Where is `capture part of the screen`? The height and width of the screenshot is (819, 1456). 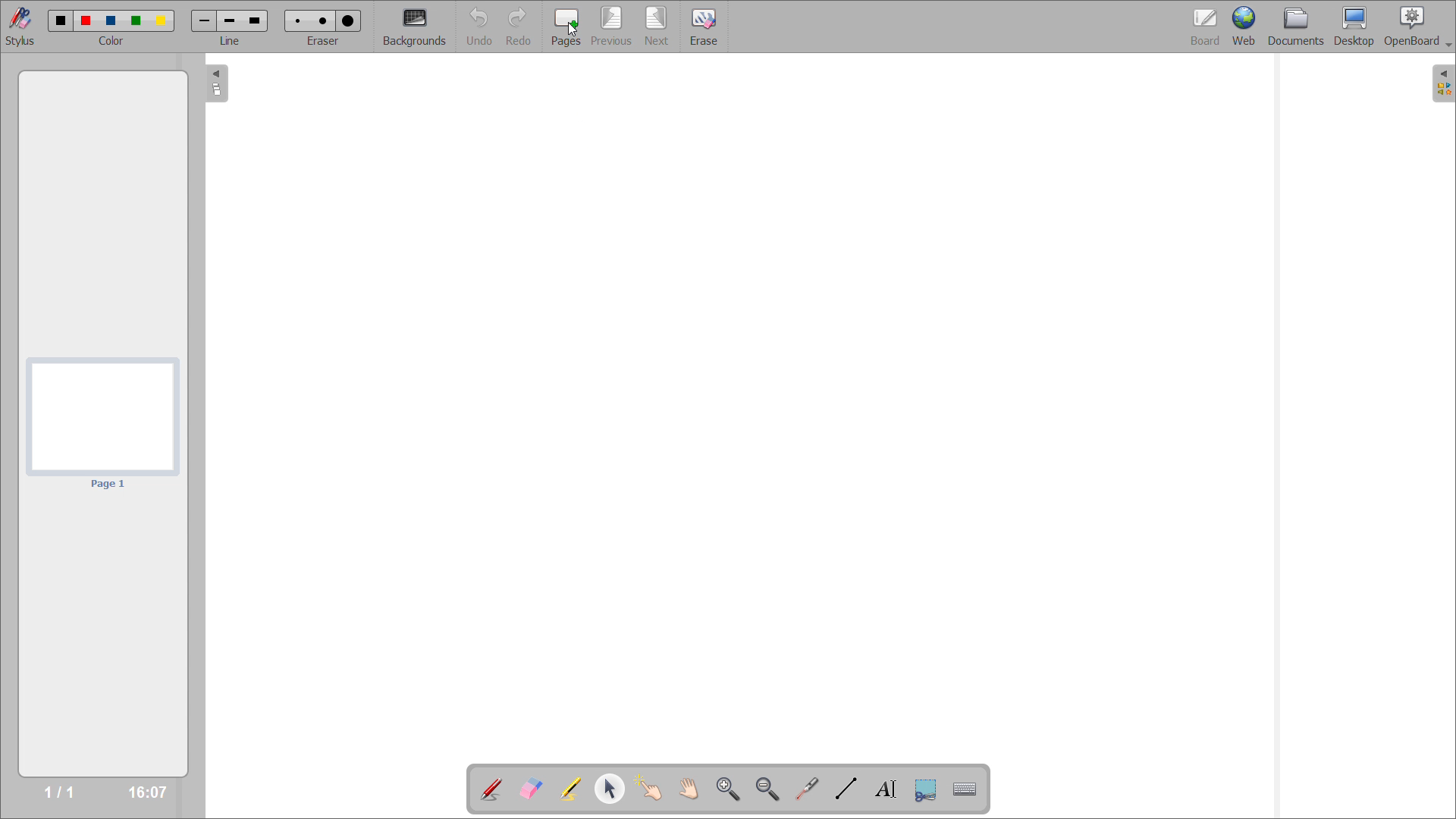 capture part of the screen is located at coordinates (927, 789).